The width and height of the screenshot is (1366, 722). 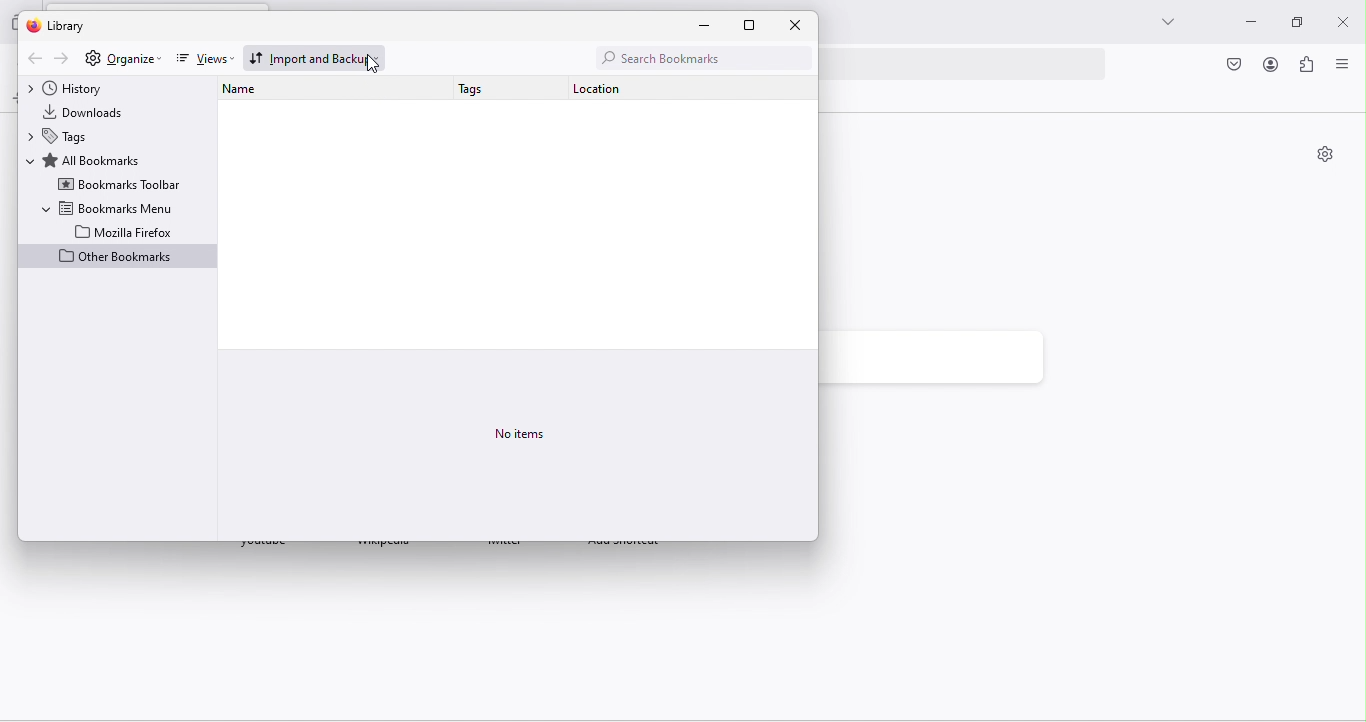 What do you see at coordinates (1236, 66) in the screenshot?
I see `visit chrome` at bounding box center [1236, 66].